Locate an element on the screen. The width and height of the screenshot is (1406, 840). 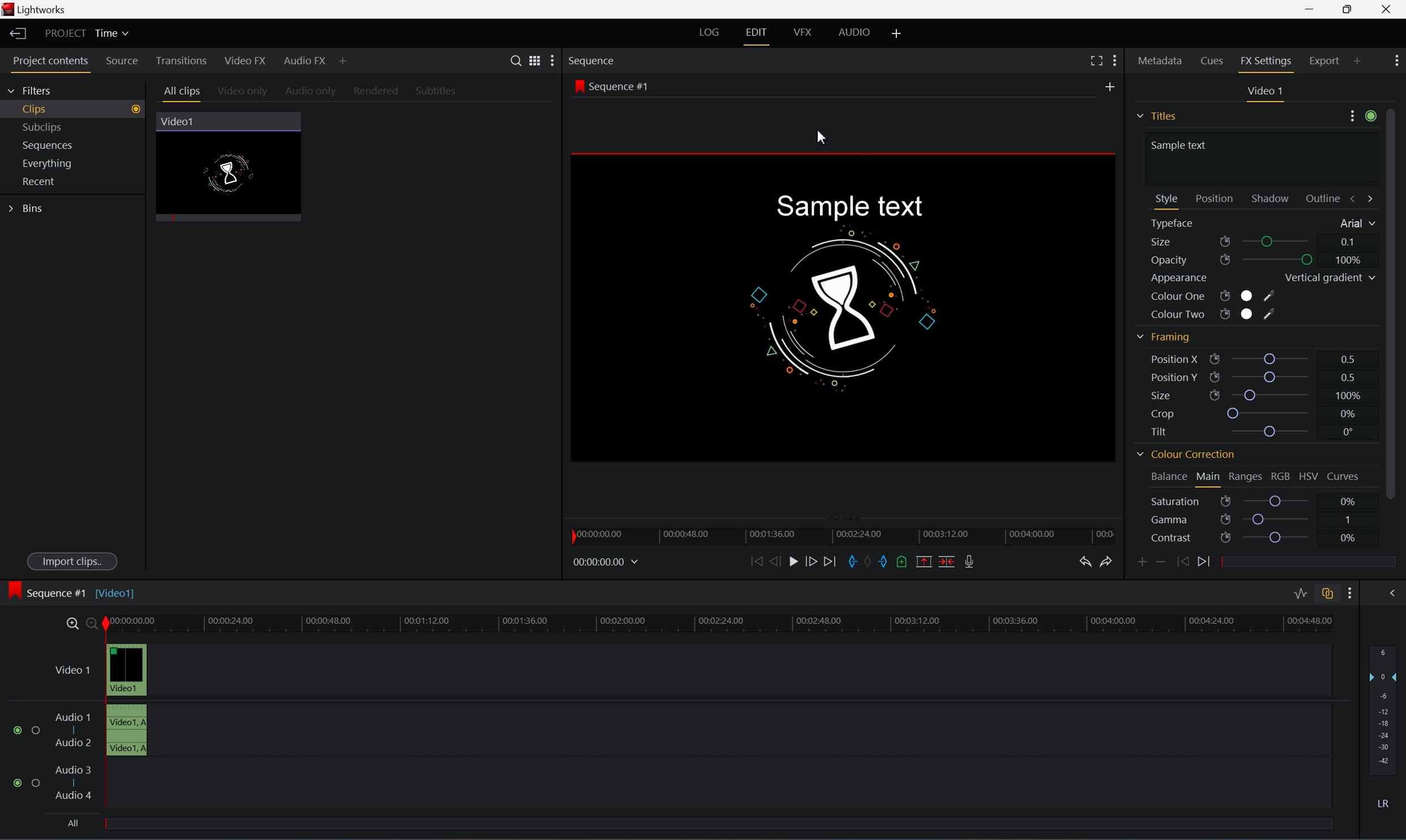
restore down is located at coordinates (1345, 9).